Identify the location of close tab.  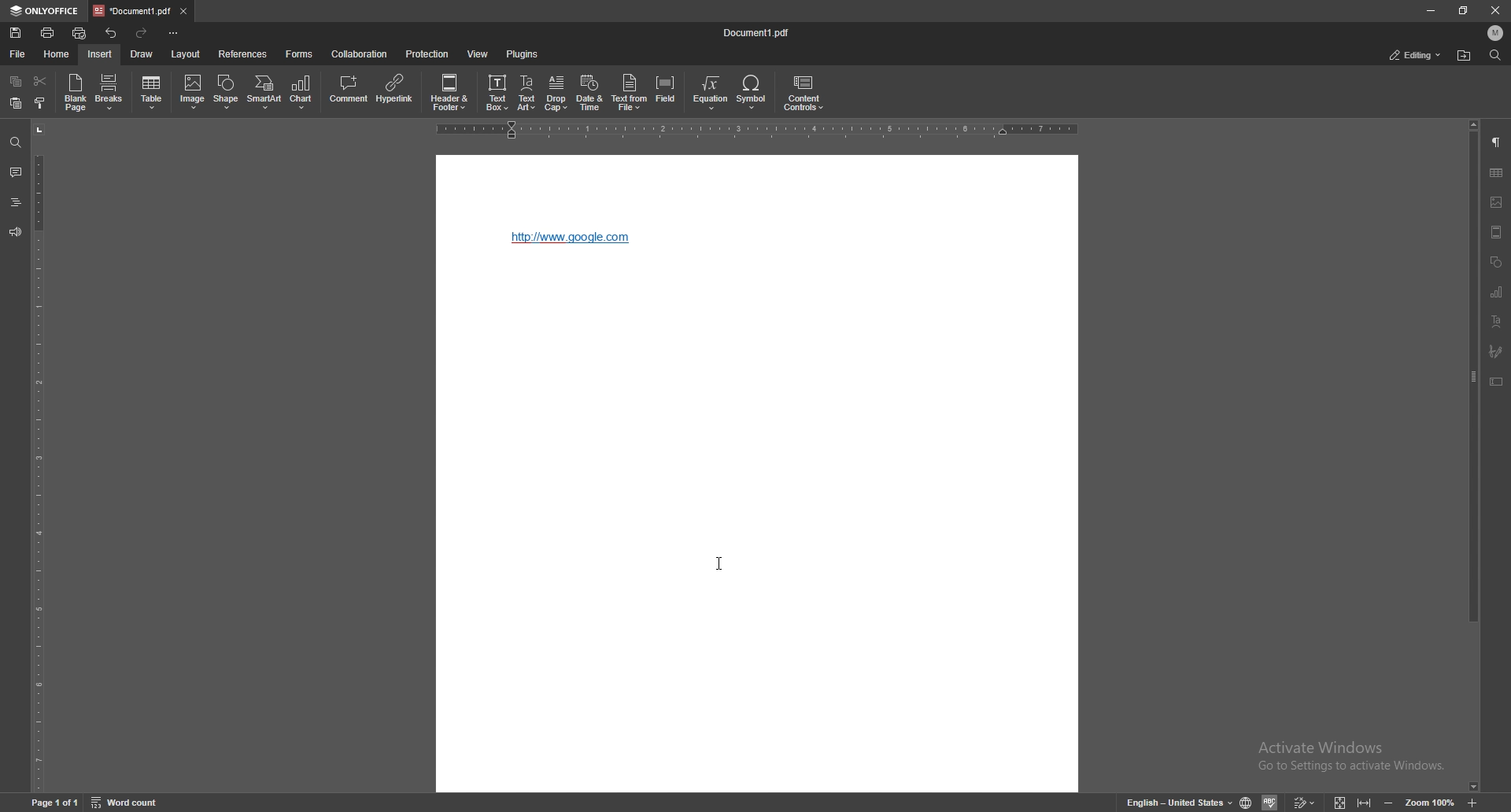
(183, 12).